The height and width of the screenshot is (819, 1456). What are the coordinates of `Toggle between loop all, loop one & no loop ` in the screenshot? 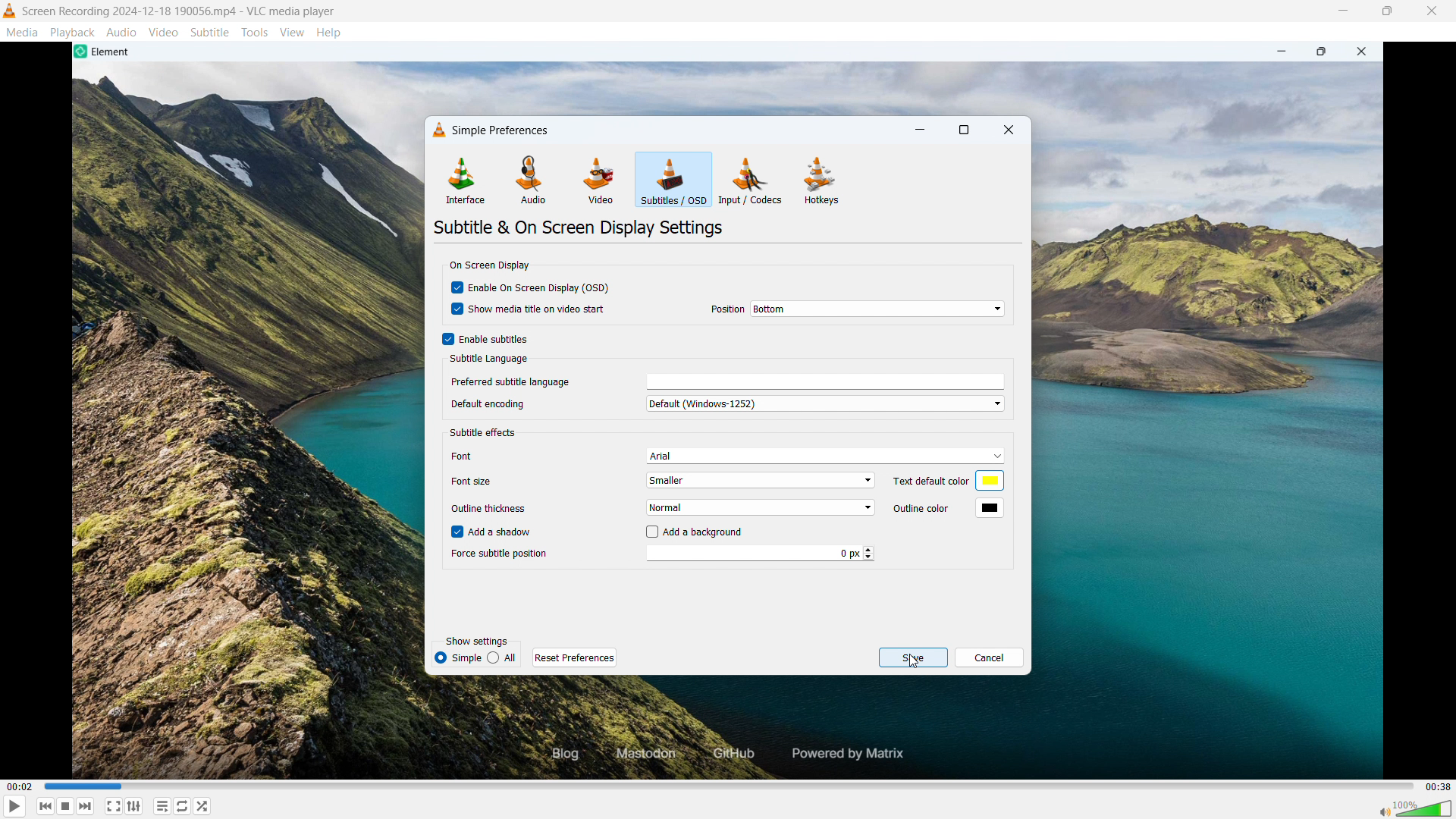 It's located at (183, 805).